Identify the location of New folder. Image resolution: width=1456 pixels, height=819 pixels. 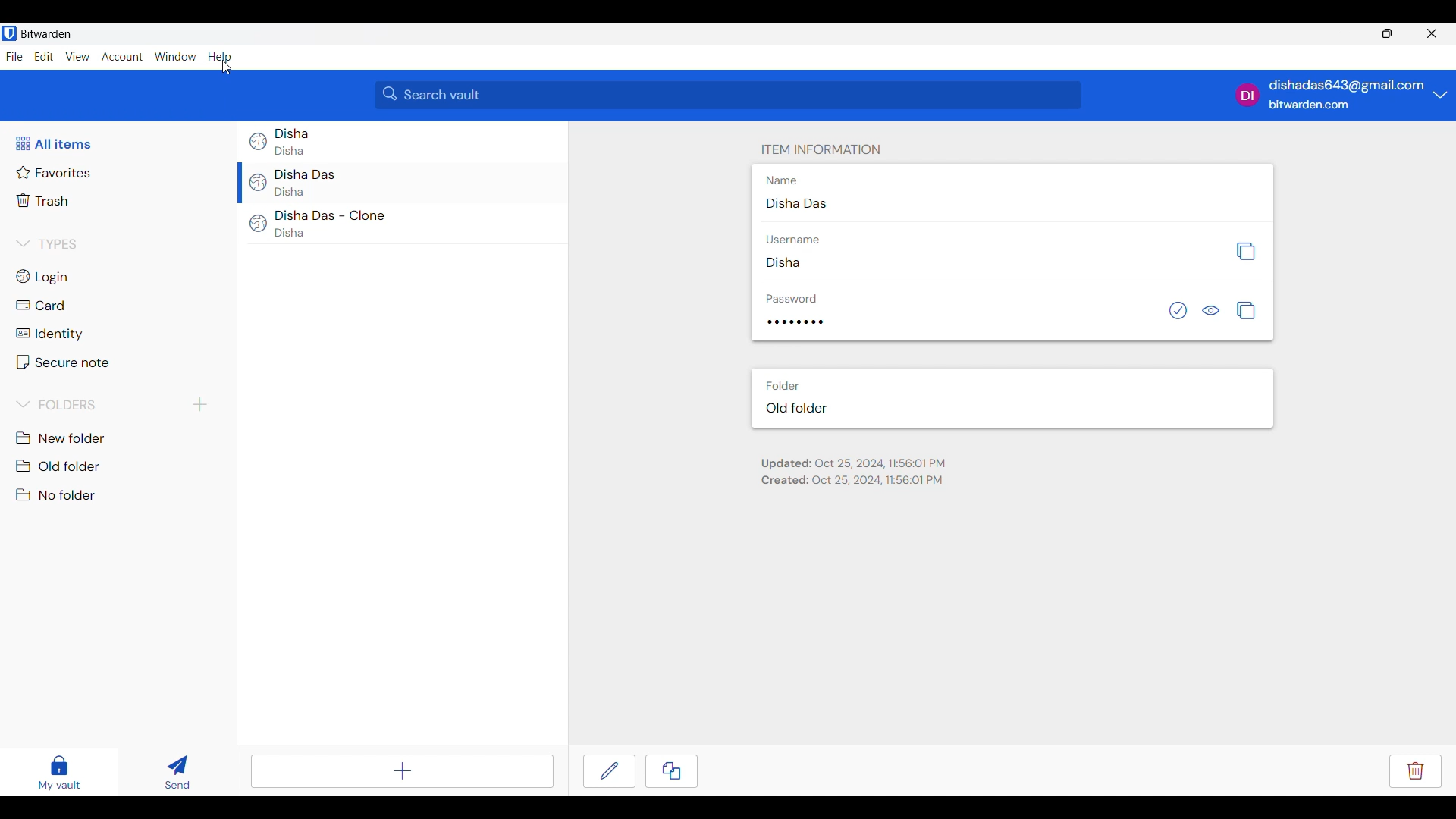
(61, 438).